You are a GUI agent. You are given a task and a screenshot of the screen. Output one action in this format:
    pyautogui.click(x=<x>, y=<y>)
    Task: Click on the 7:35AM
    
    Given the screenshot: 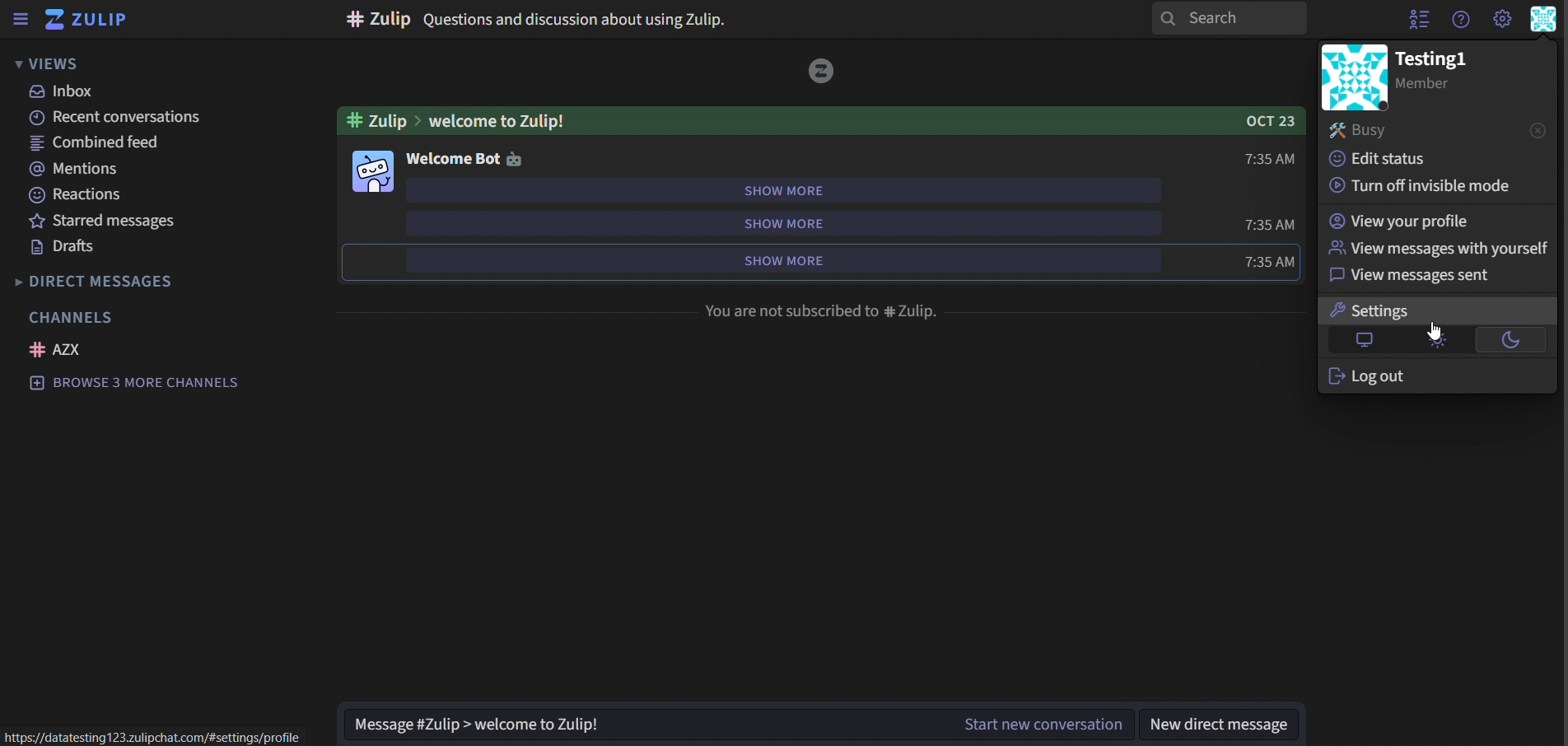 What is the action you would take?
    pyautogui.click(x=1266, y=158)
    